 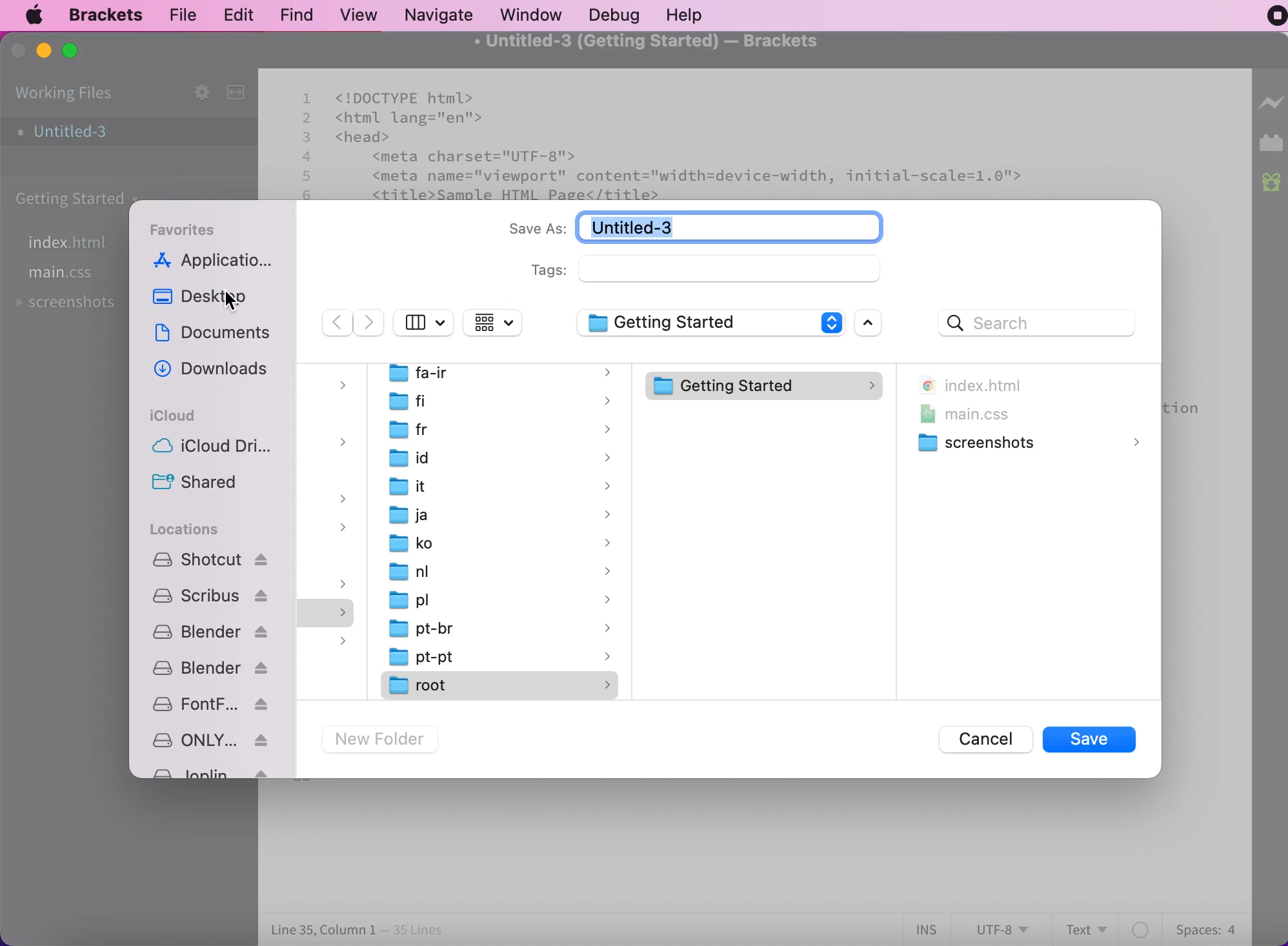 I want to click on minimize, so click(x=45, y=51).